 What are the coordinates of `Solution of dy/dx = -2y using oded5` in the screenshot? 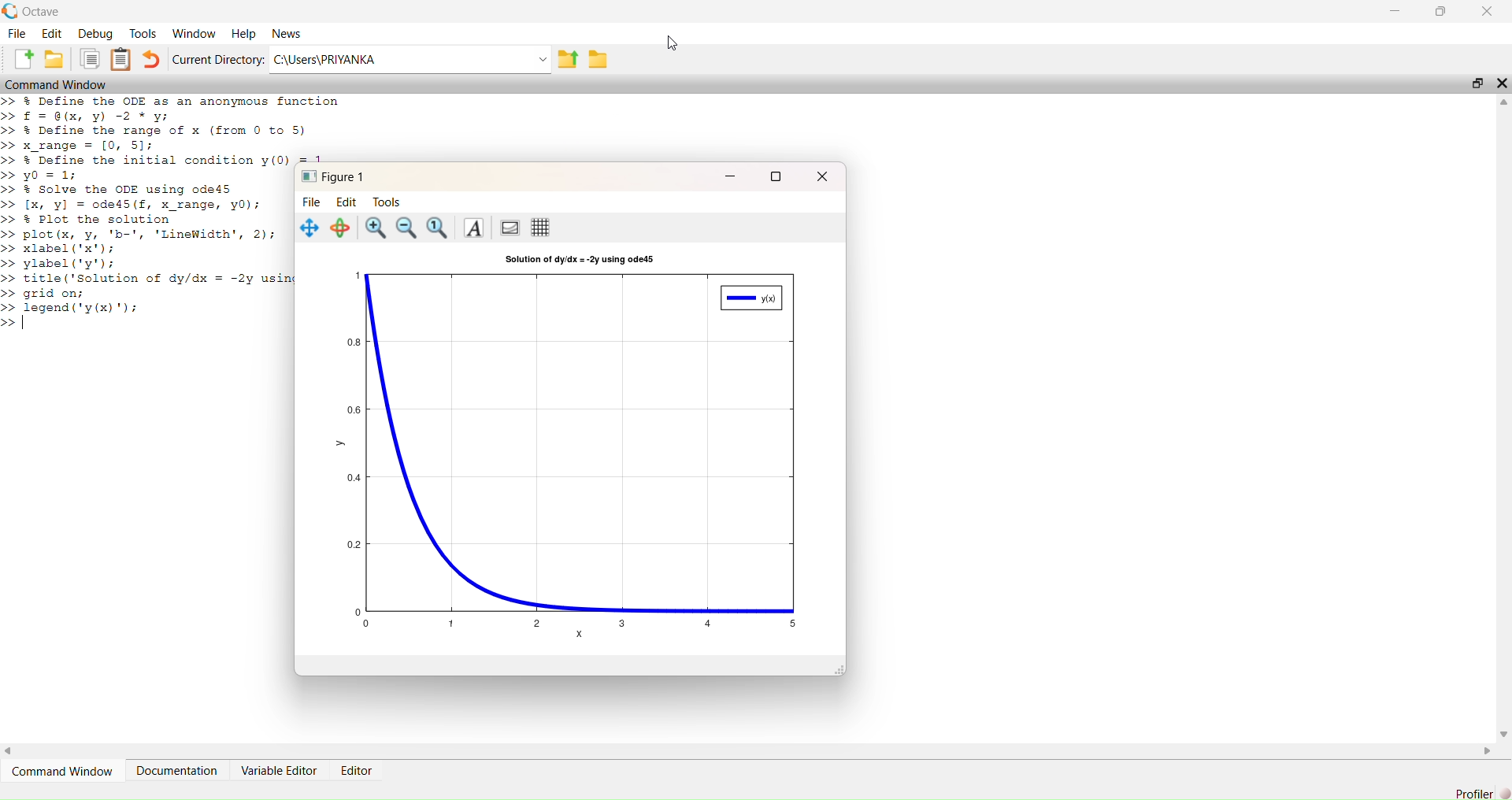 It's located at (579, 259).